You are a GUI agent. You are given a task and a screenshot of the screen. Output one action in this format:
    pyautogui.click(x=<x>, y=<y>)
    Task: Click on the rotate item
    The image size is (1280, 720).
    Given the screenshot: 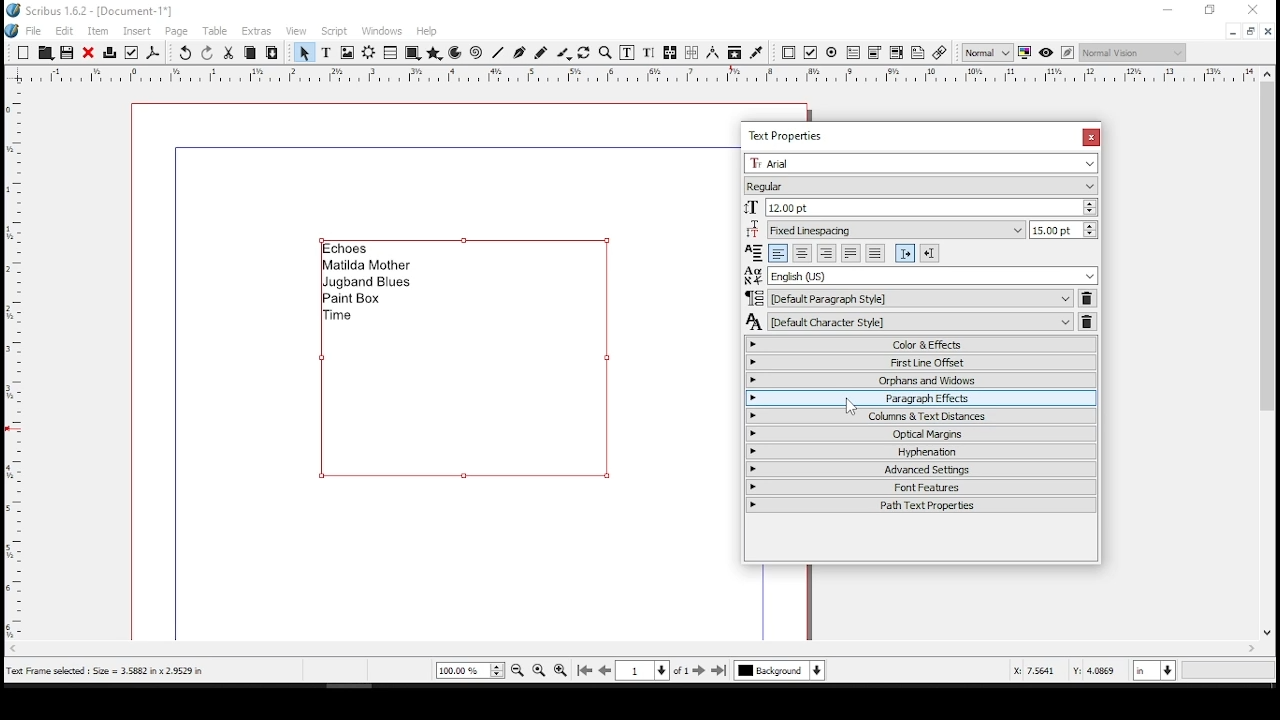 What is the action you would take?
    pyautogui.click(x=585, y=52)
    